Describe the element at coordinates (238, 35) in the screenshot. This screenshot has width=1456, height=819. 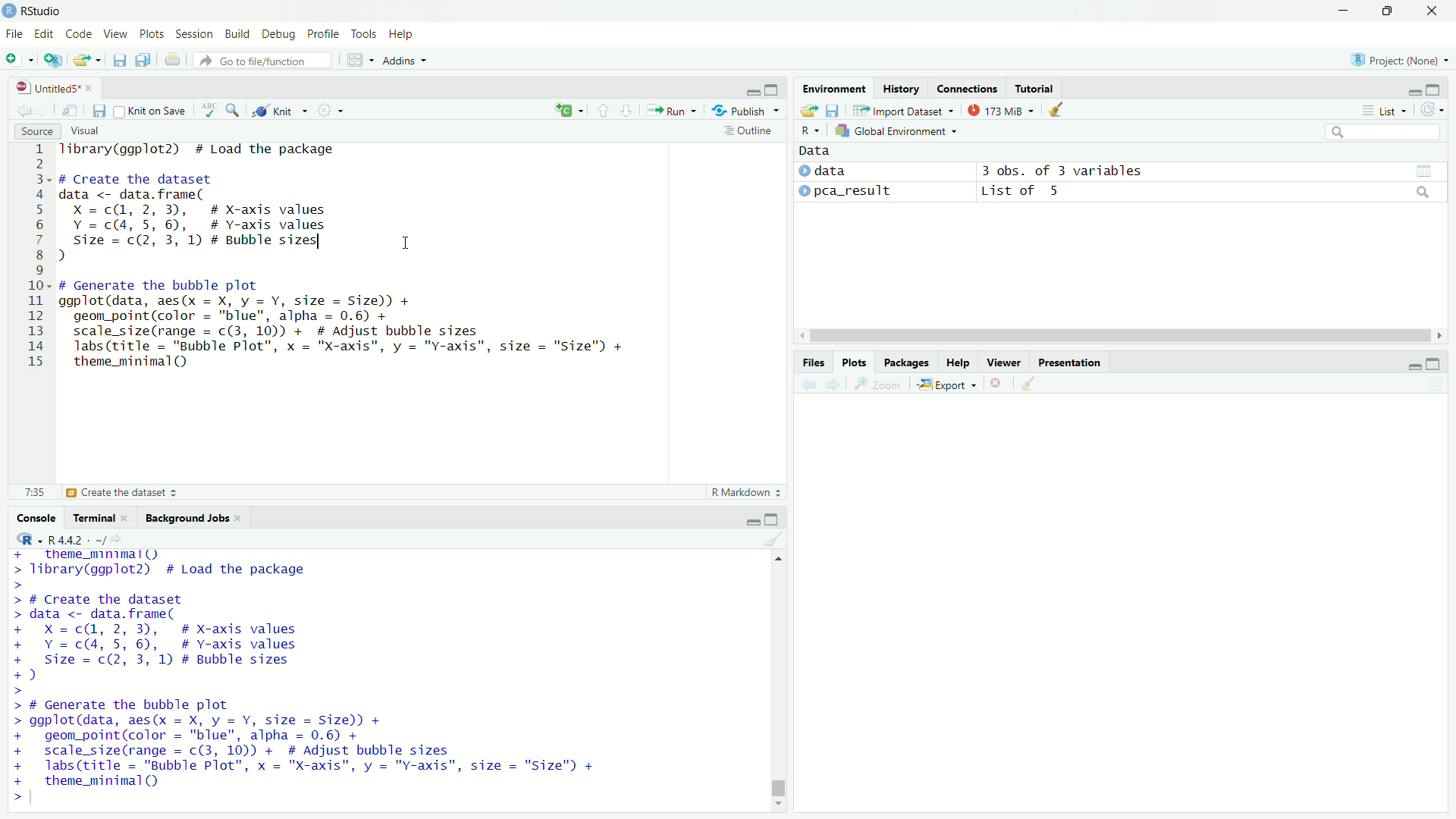
I see `build` at that location.